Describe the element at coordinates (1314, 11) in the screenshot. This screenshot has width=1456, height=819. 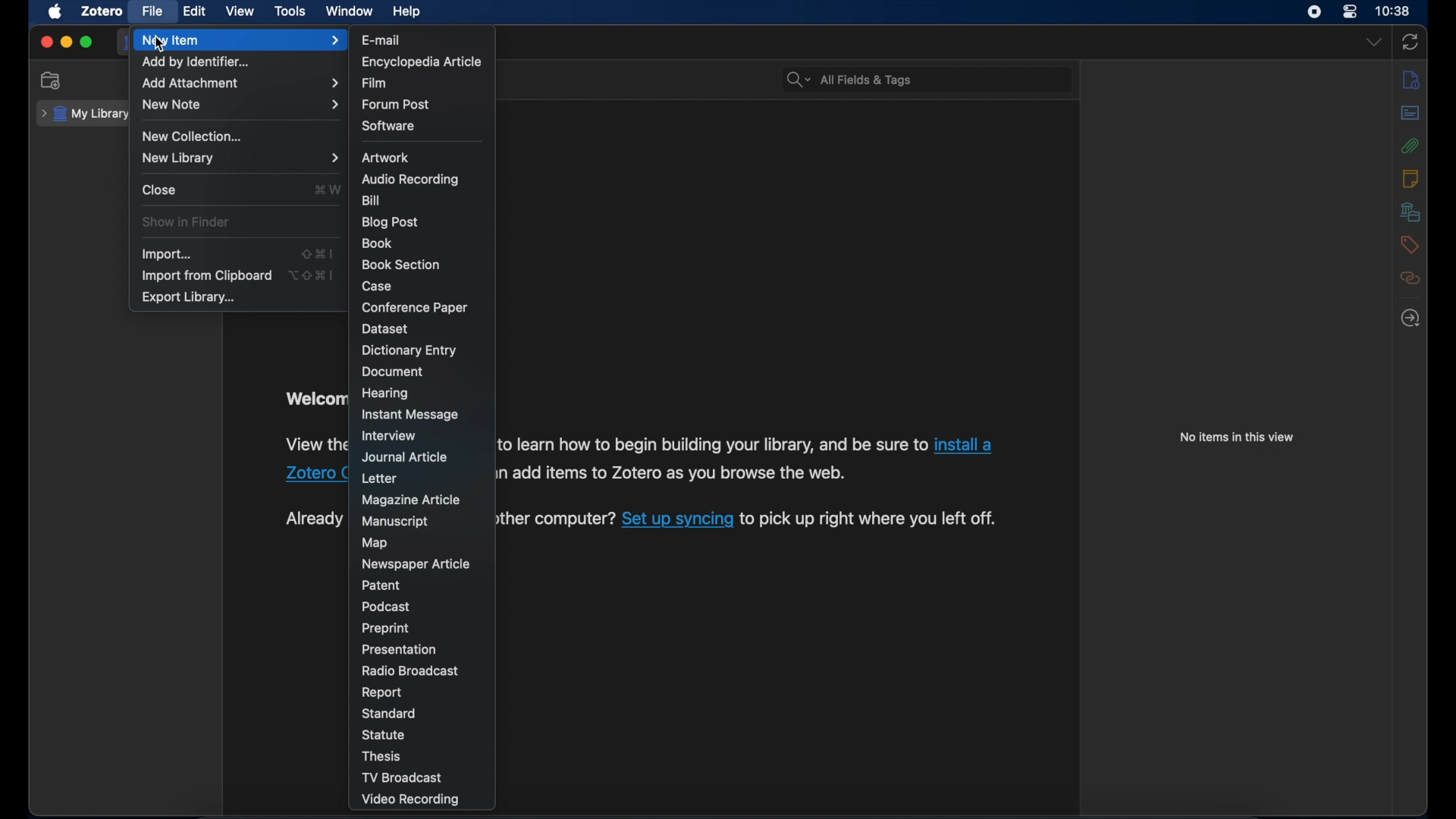
I see `screen recorder` at that location.